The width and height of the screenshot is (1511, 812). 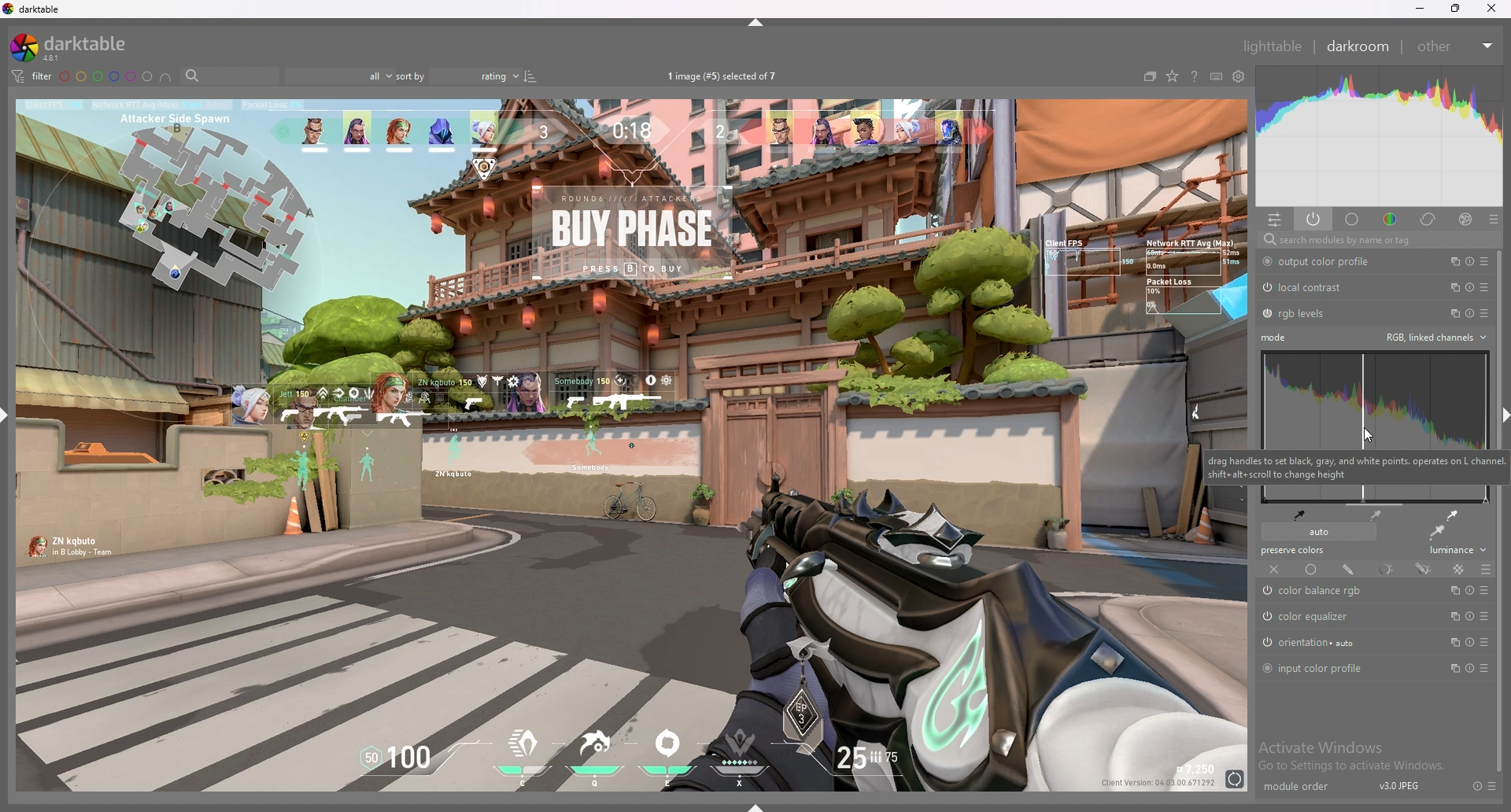 What do you see at coordinates (1428, 220) in the screenshot?
I see `correct` at bounding box center [1428, 220].